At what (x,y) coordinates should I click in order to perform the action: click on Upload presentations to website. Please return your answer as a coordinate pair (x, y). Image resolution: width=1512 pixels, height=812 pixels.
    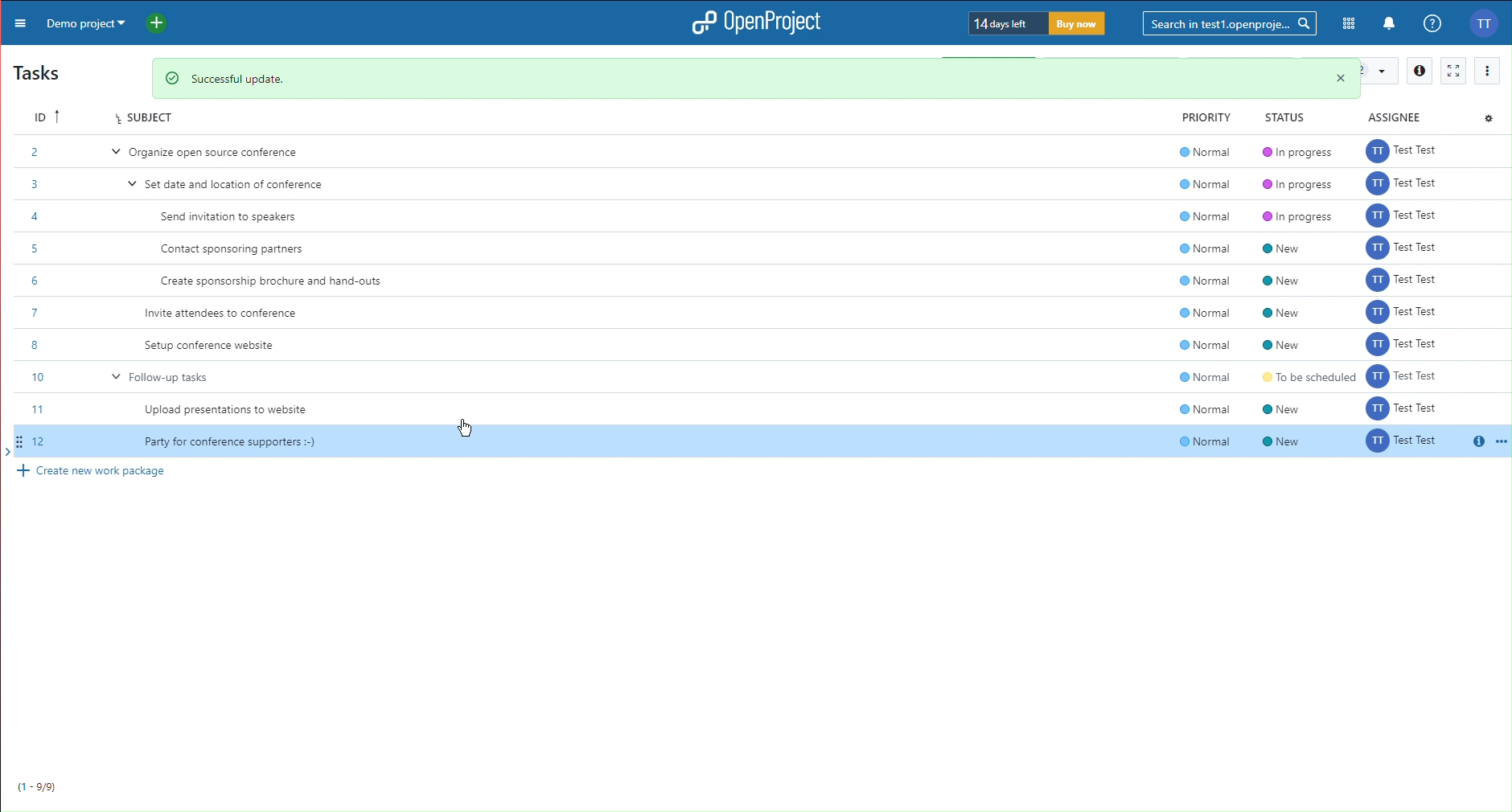
    Looking at the image, I should click on (230, 412).